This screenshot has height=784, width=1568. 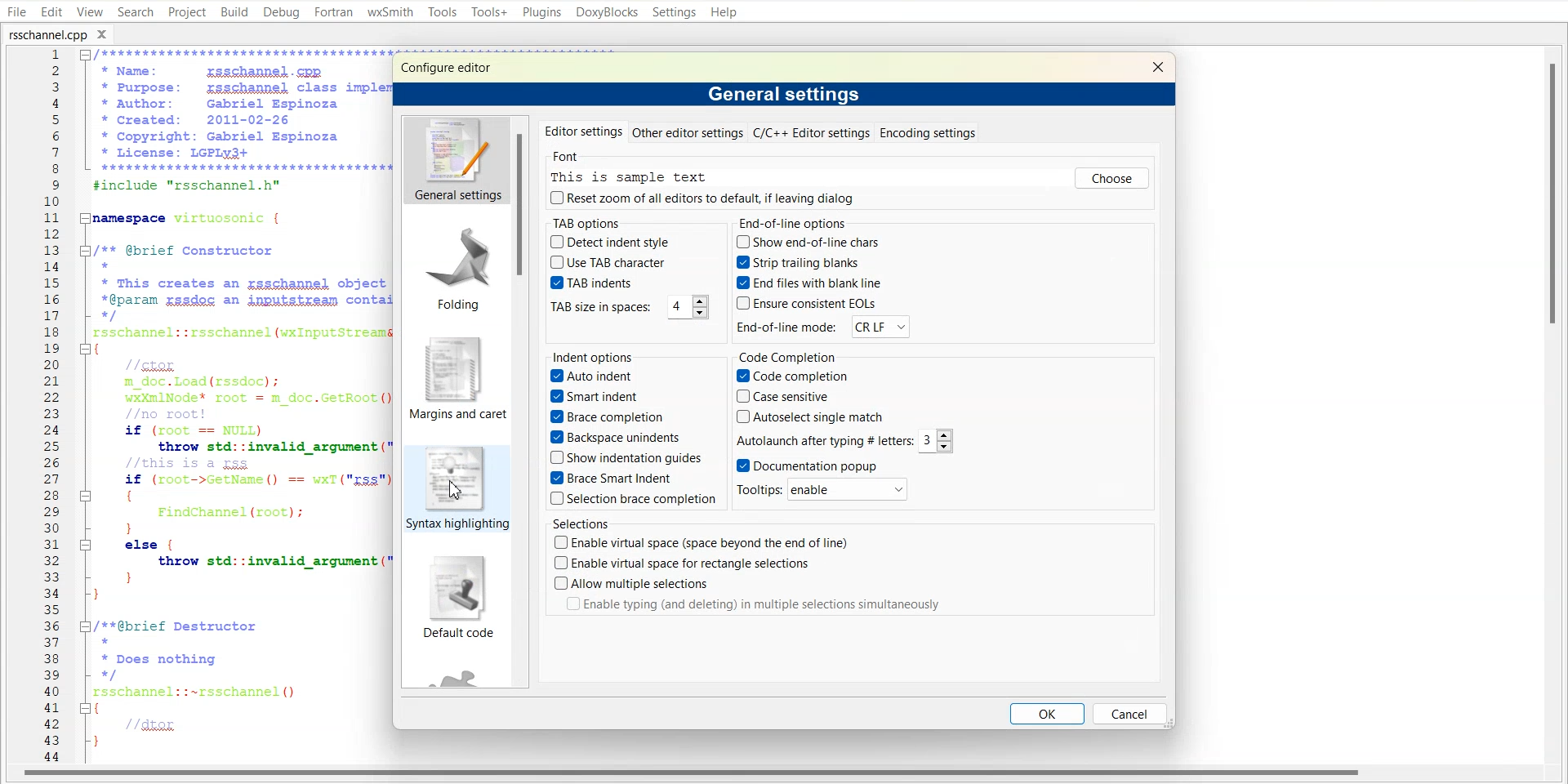 I want to click on End-of-line options, so click(x=795, y=224).